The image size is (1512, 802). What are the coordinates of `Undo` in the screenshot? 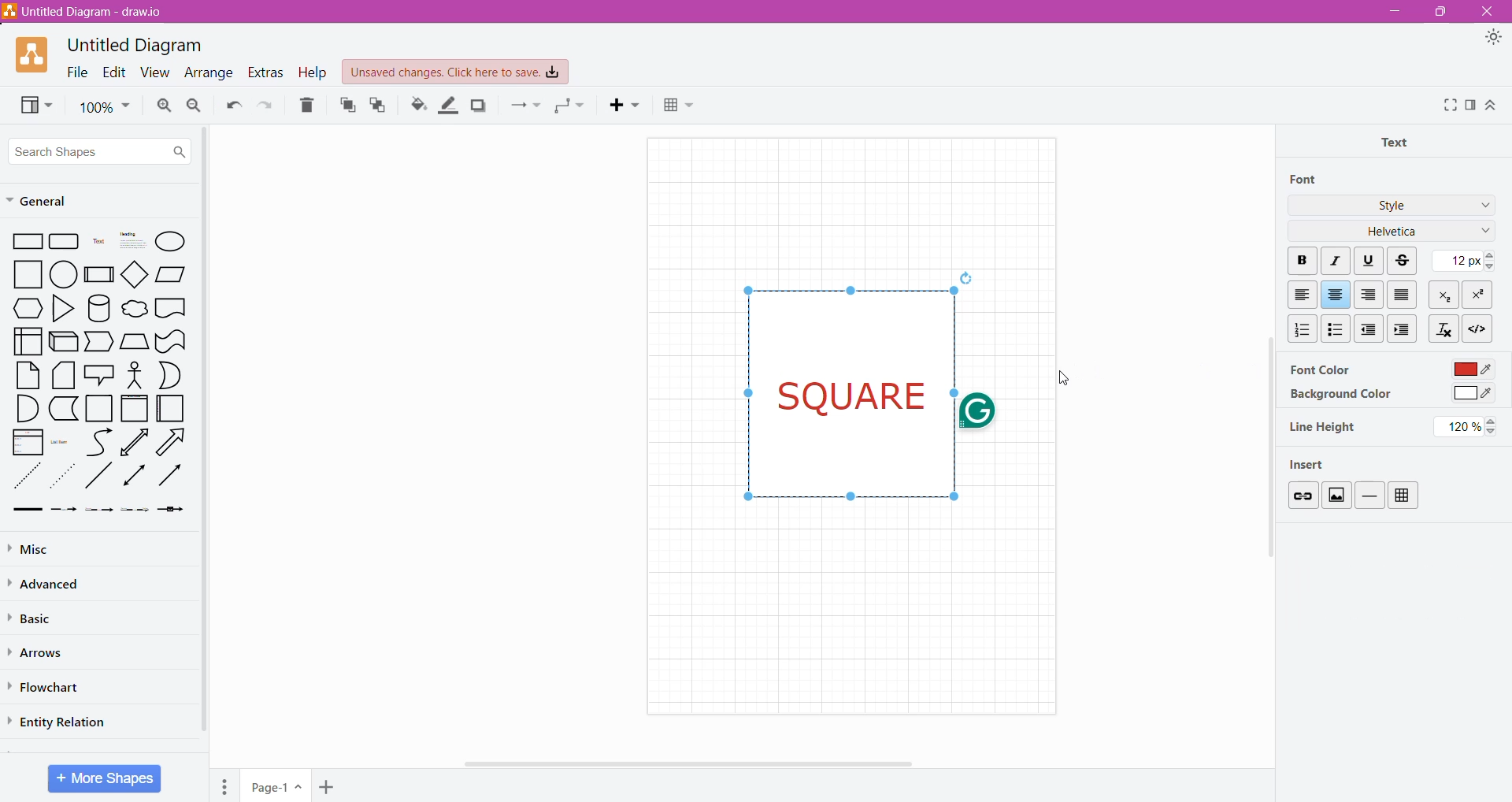 It's located at (269, 104).